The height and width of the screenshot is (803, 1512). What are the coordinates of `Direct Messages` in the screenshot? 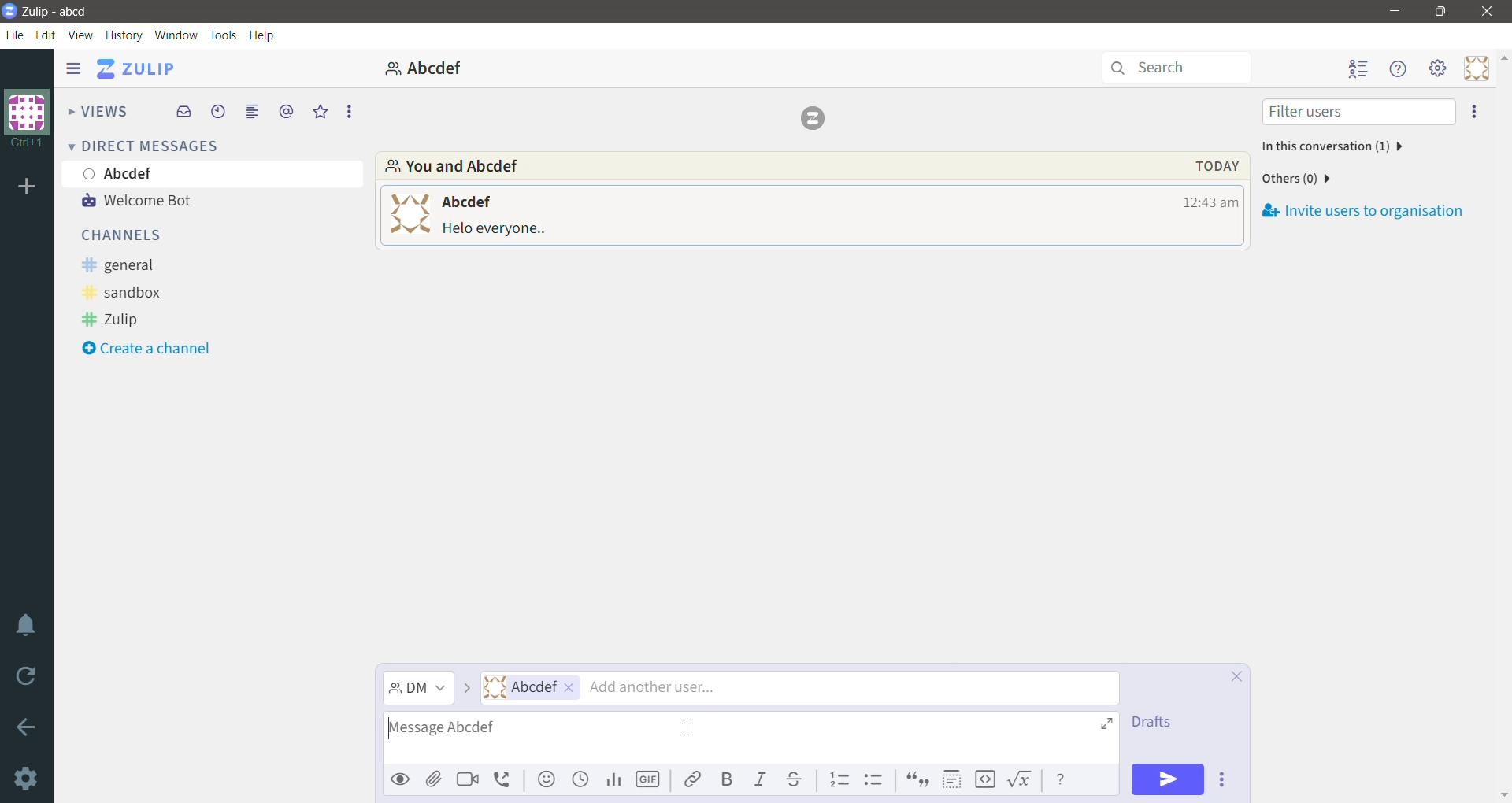 It's located at (147, 146).